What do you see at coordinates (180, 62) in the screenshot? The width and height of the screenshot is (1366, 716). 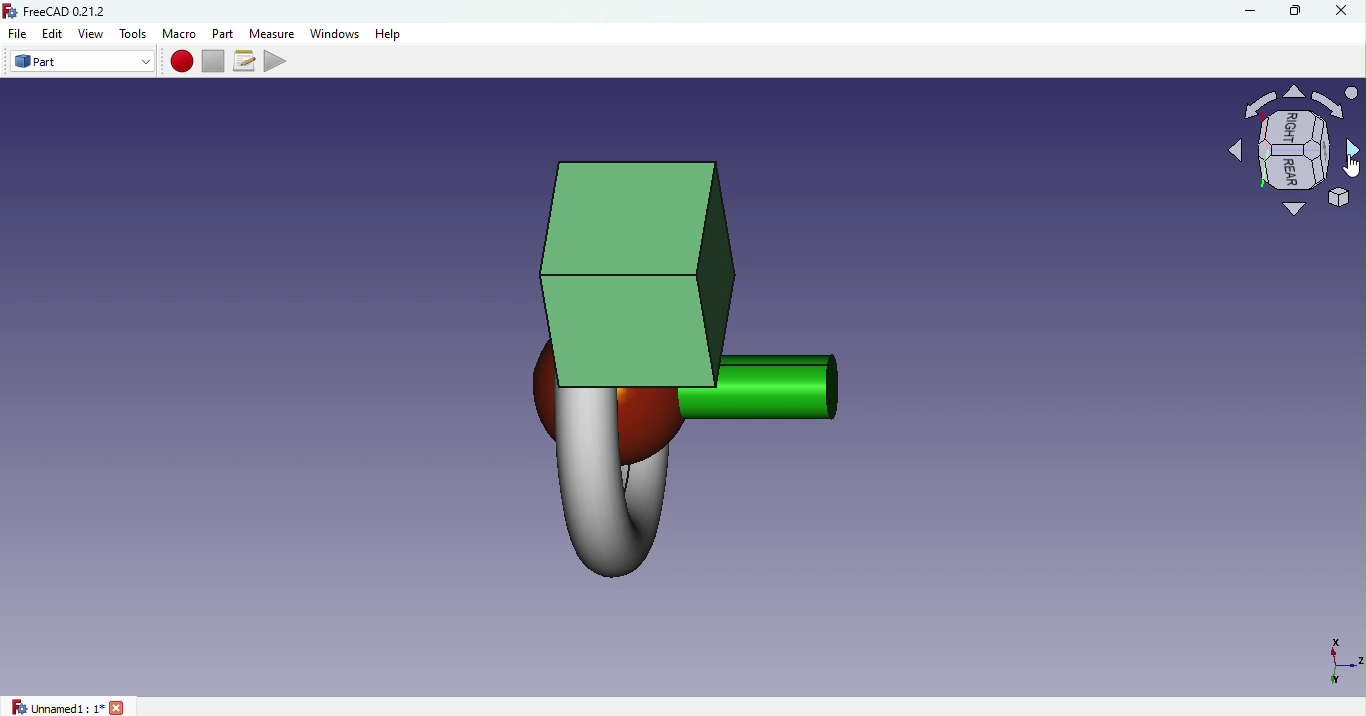 I see `Macro recording` at bounding box center [180, 62].